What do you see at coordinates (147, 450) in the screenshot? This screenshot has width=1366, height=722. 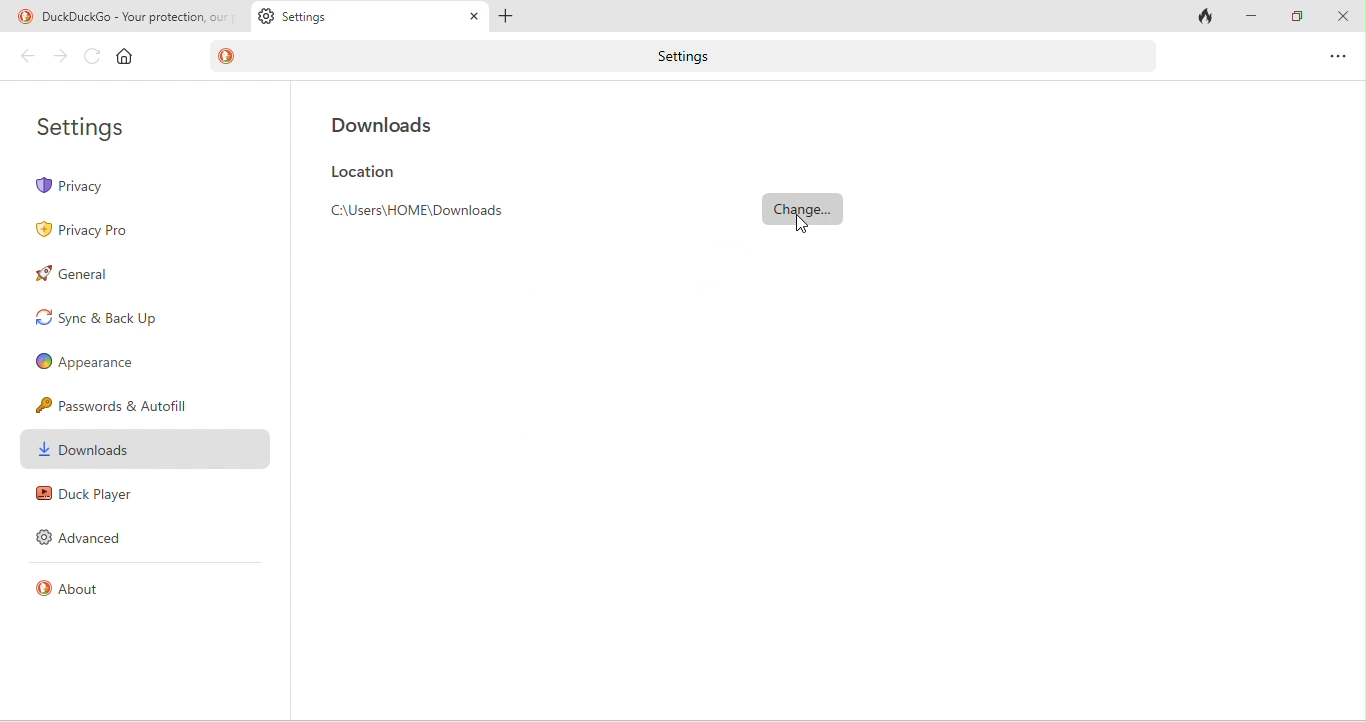 I see `downloads` at bounding box center [147, 450].